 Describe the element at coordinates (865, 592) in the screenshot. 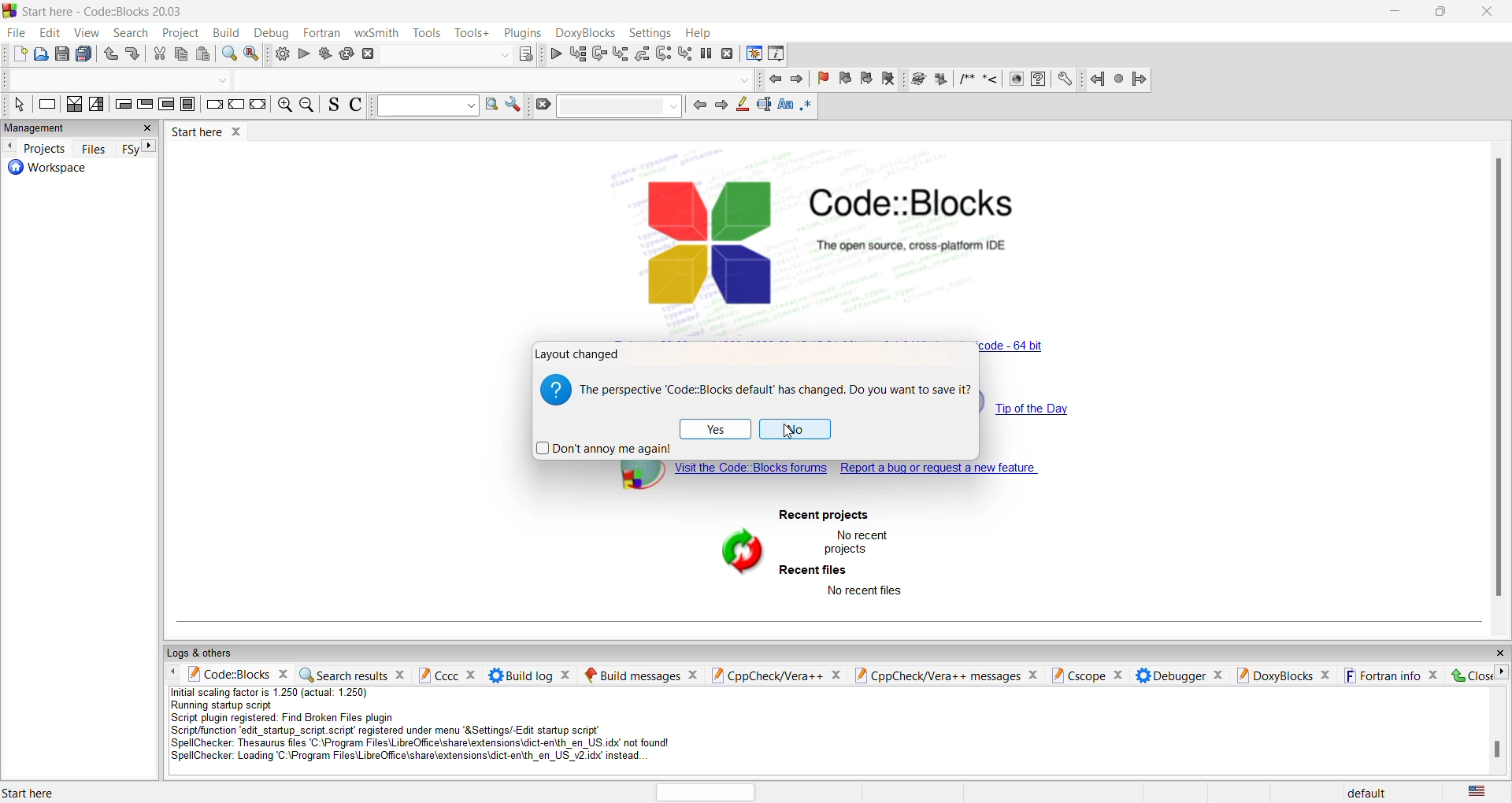

I see `no recent file text` at that location.